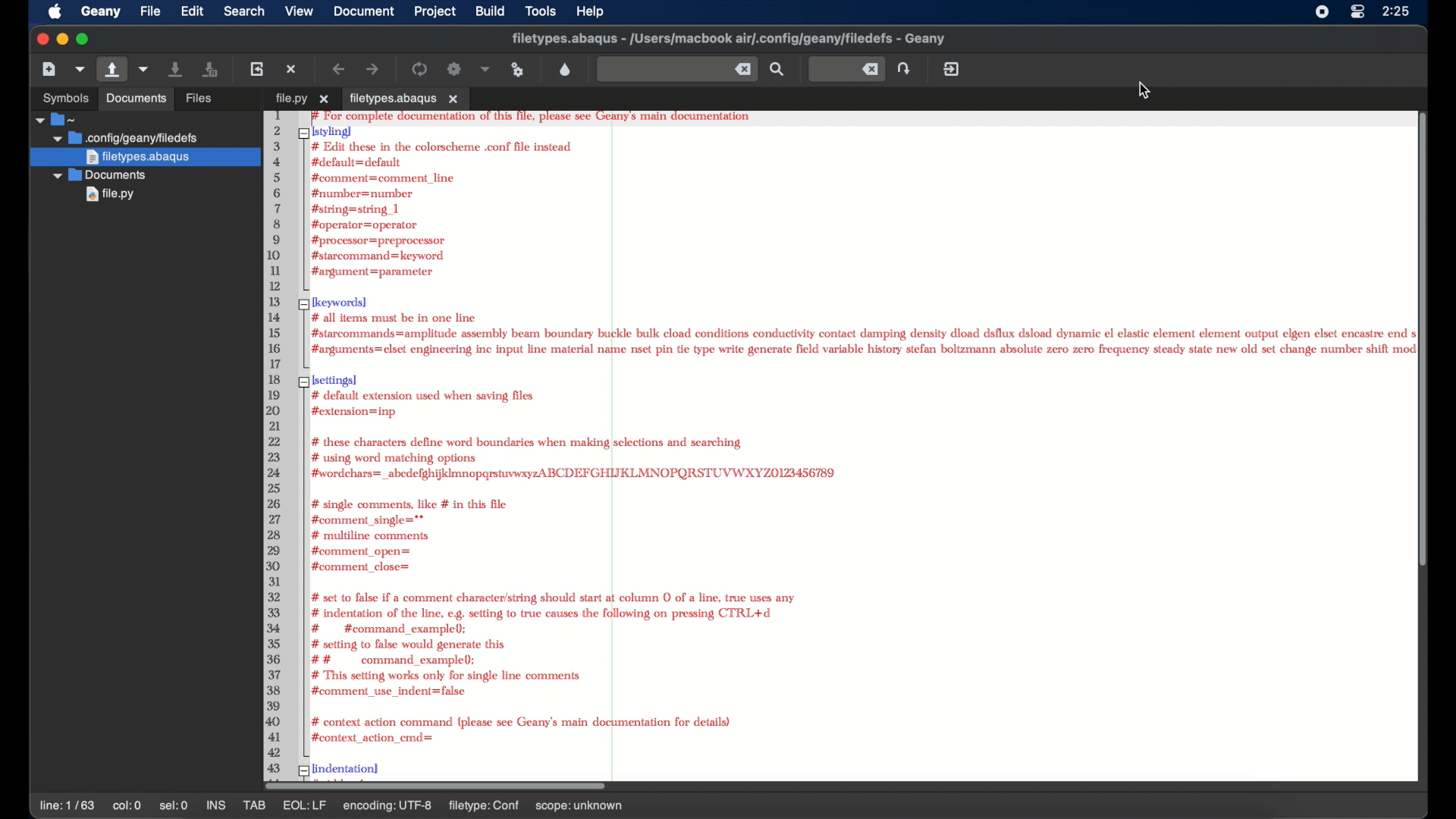 This screenshot has width=1456, height=819. What do you see at coordinates (517, 71) in the screenshot?
I see `run or view file` at bounding box center [517, 71].